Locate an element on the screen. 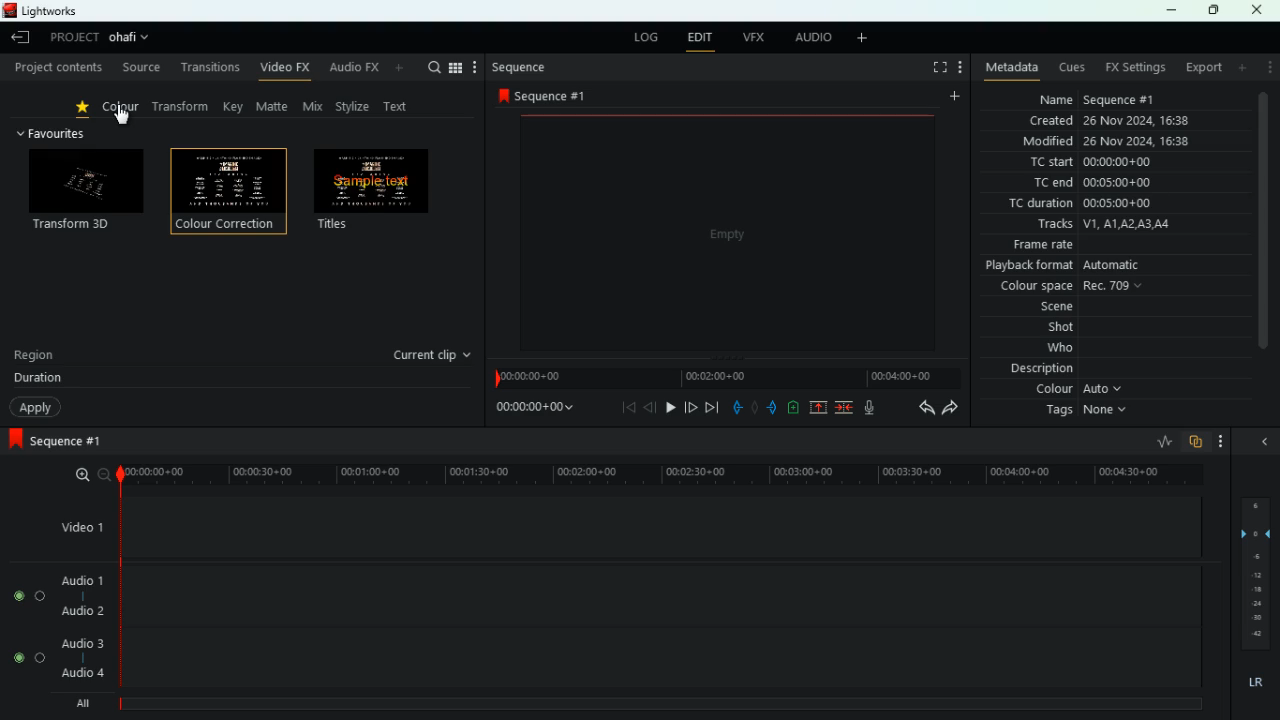  audio 3 is located at coordinates (82, 644).